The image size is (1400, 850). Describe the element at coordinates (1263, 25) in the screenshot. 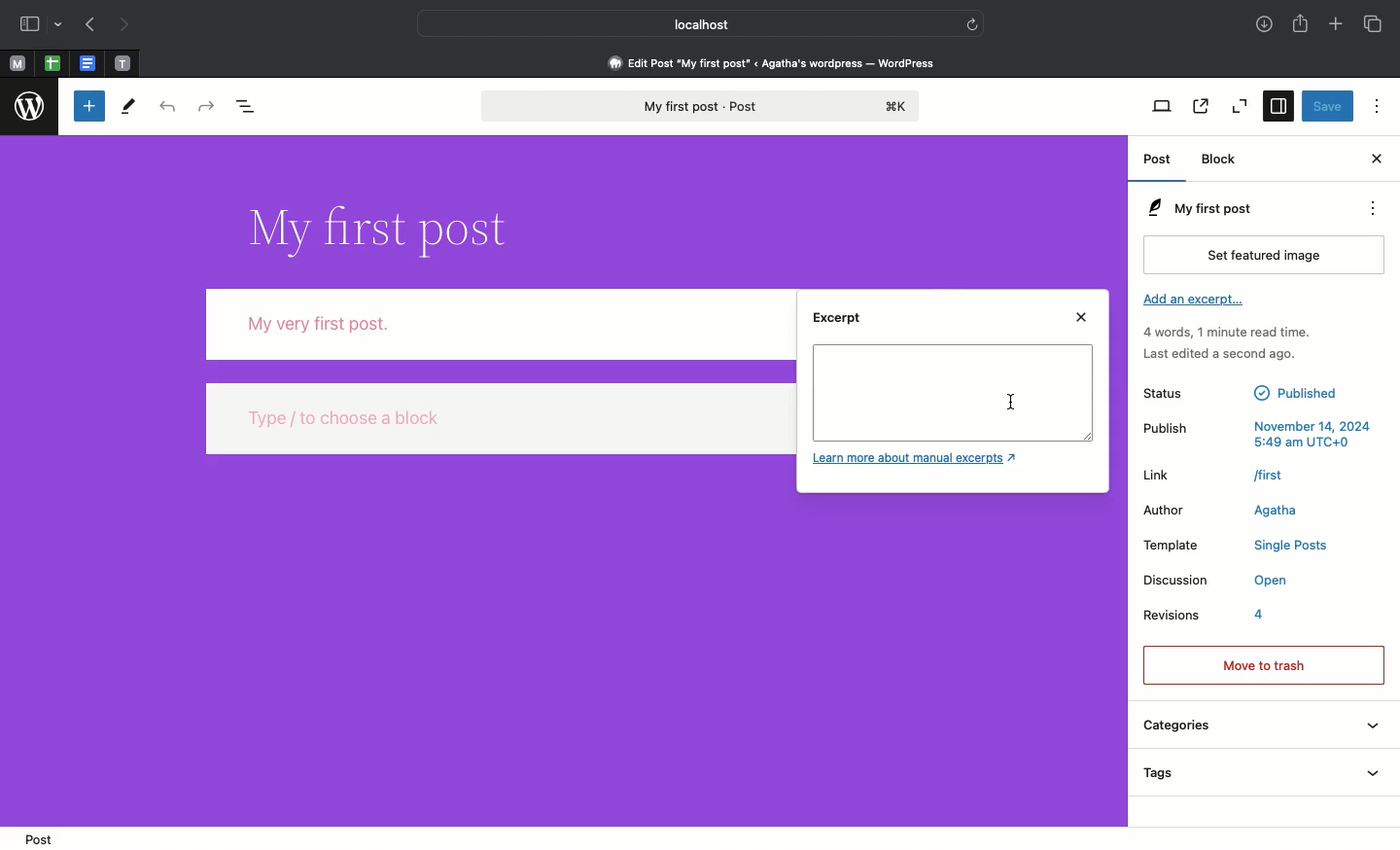

I see `Downloads` at that location.